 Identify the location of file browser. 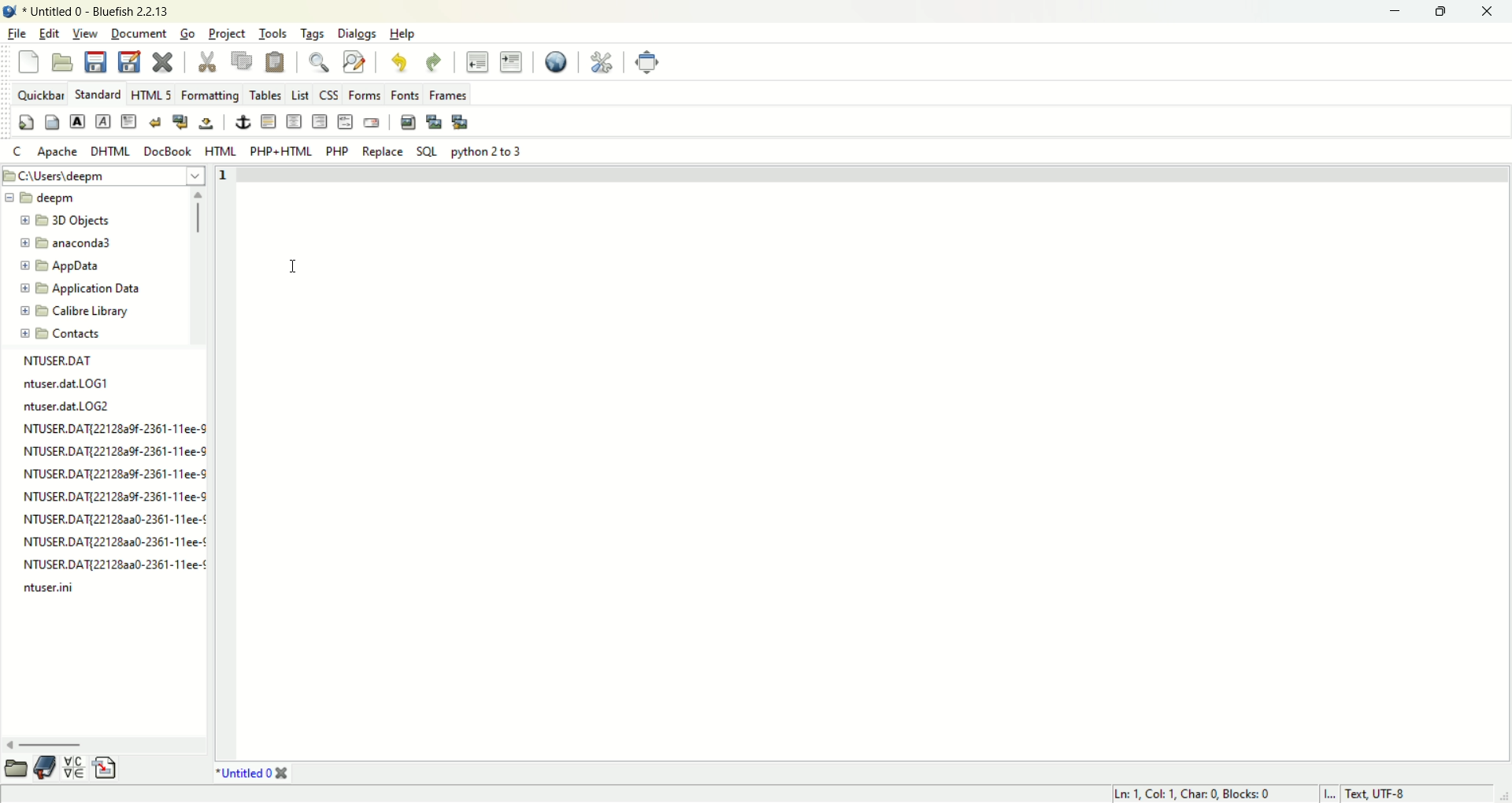
(13, 768).